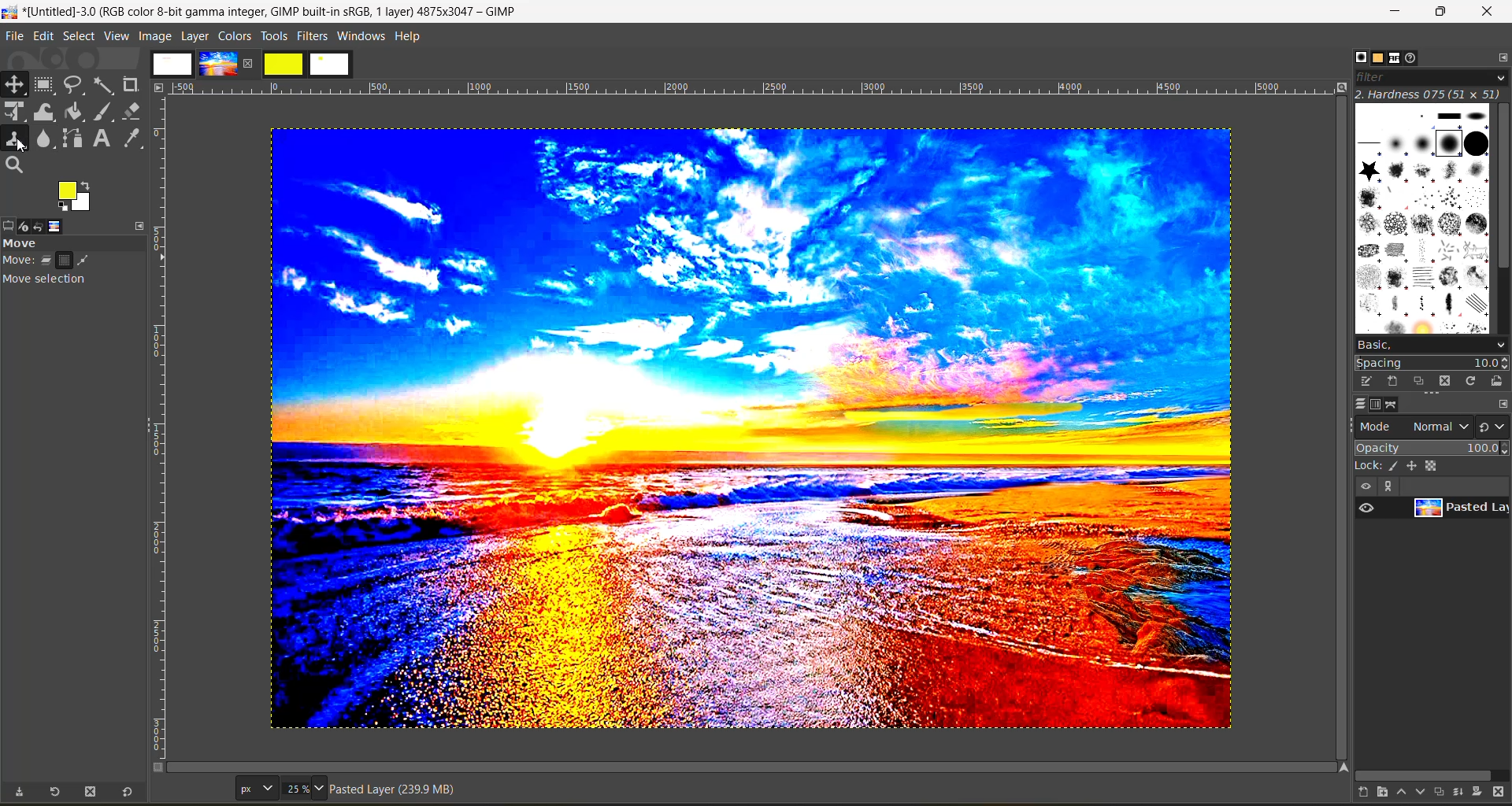  Describe the element at coordinates (284, 64) in the screenshot. I see `yellow` at that location.